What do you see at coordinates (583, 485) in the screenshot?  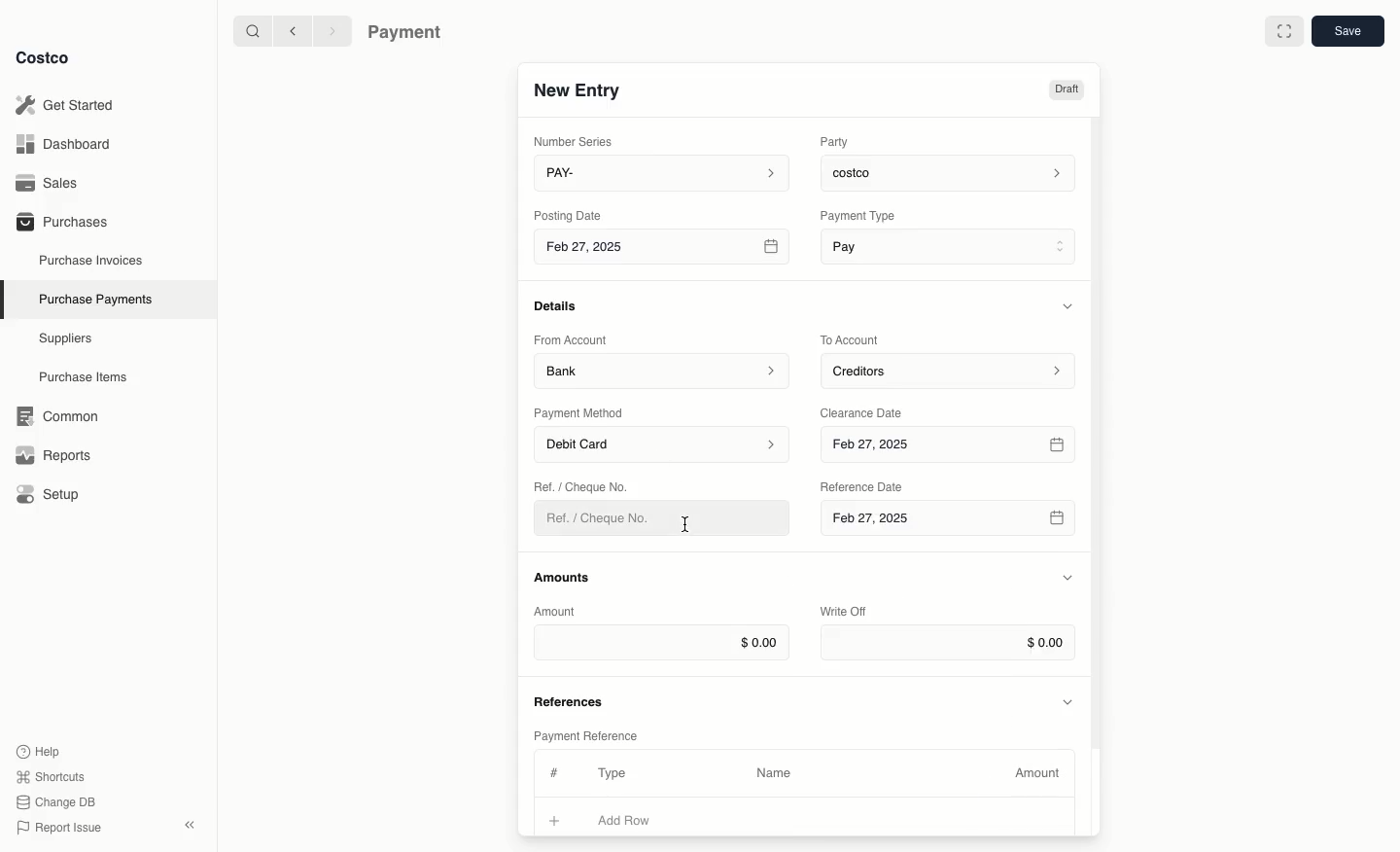 I see `Ret. / Cheque No.` at bounding box center [583, 485].